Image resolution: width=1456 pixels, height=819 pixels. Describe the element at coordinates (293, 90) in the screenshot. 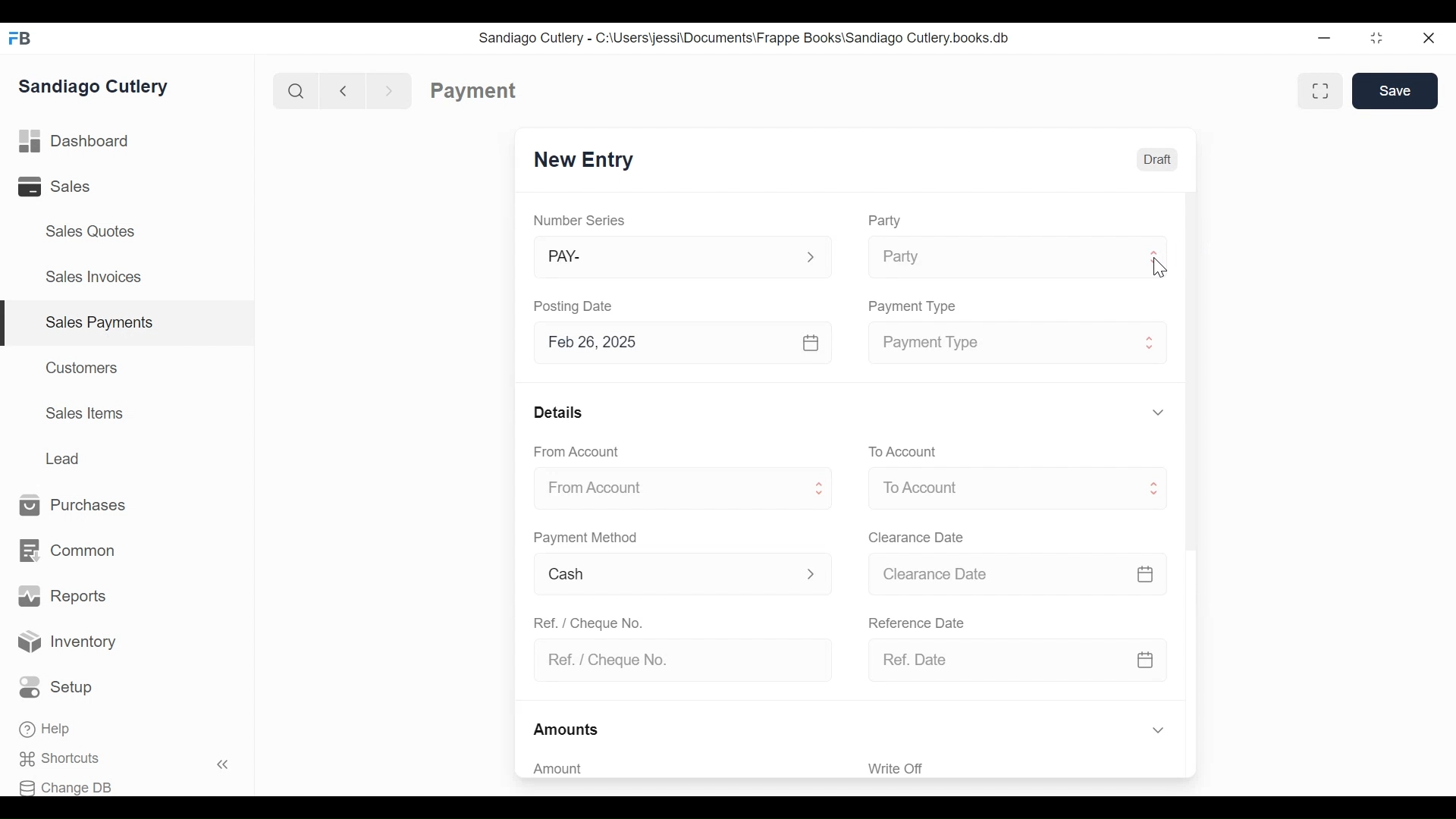

I see `Search` at that location.